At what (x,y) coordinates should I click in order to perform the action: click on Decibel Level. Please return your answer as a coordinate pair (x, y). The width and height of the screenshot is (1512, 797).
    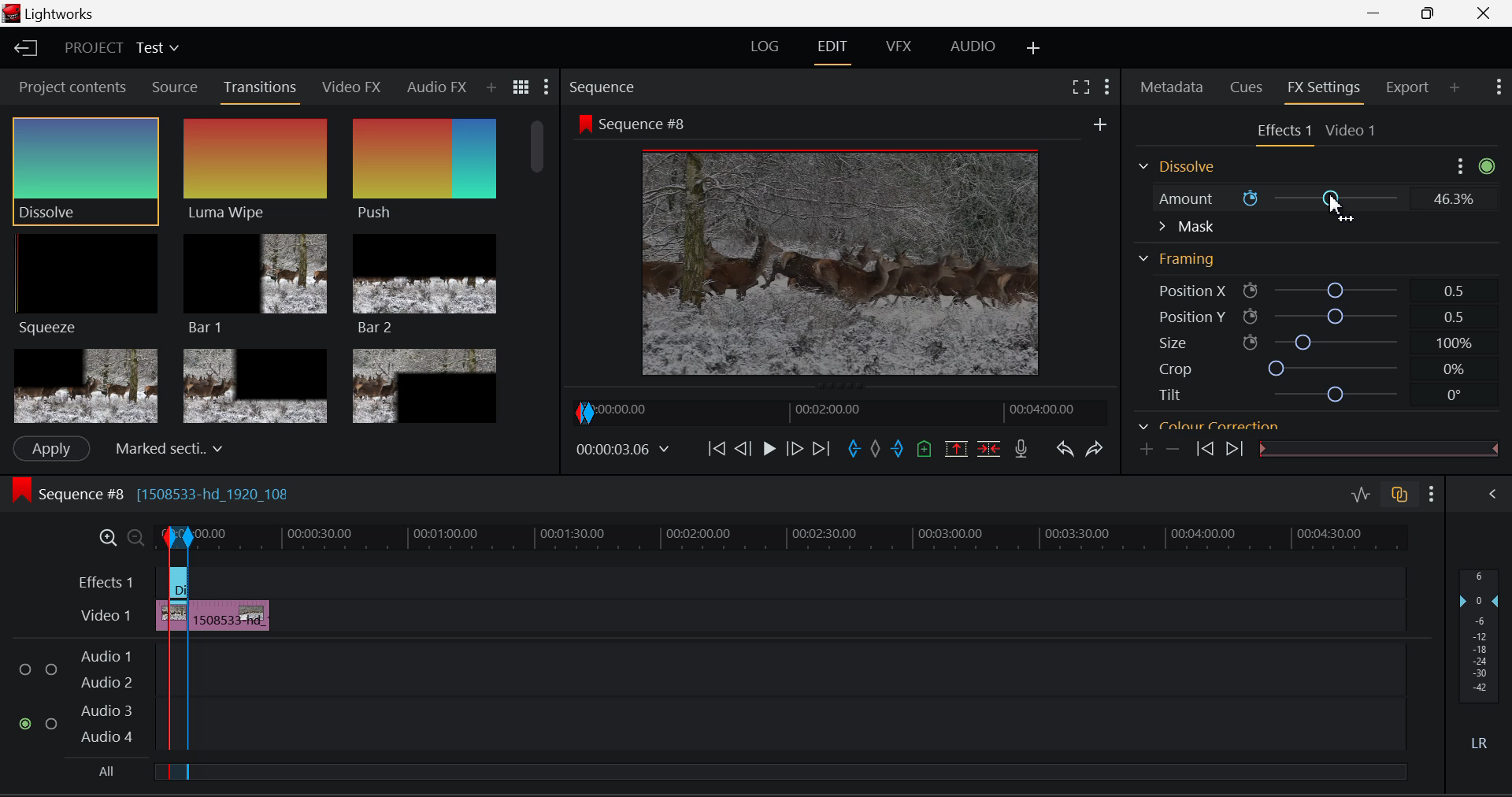
    Looking at the image, I should click on (1482, 662).